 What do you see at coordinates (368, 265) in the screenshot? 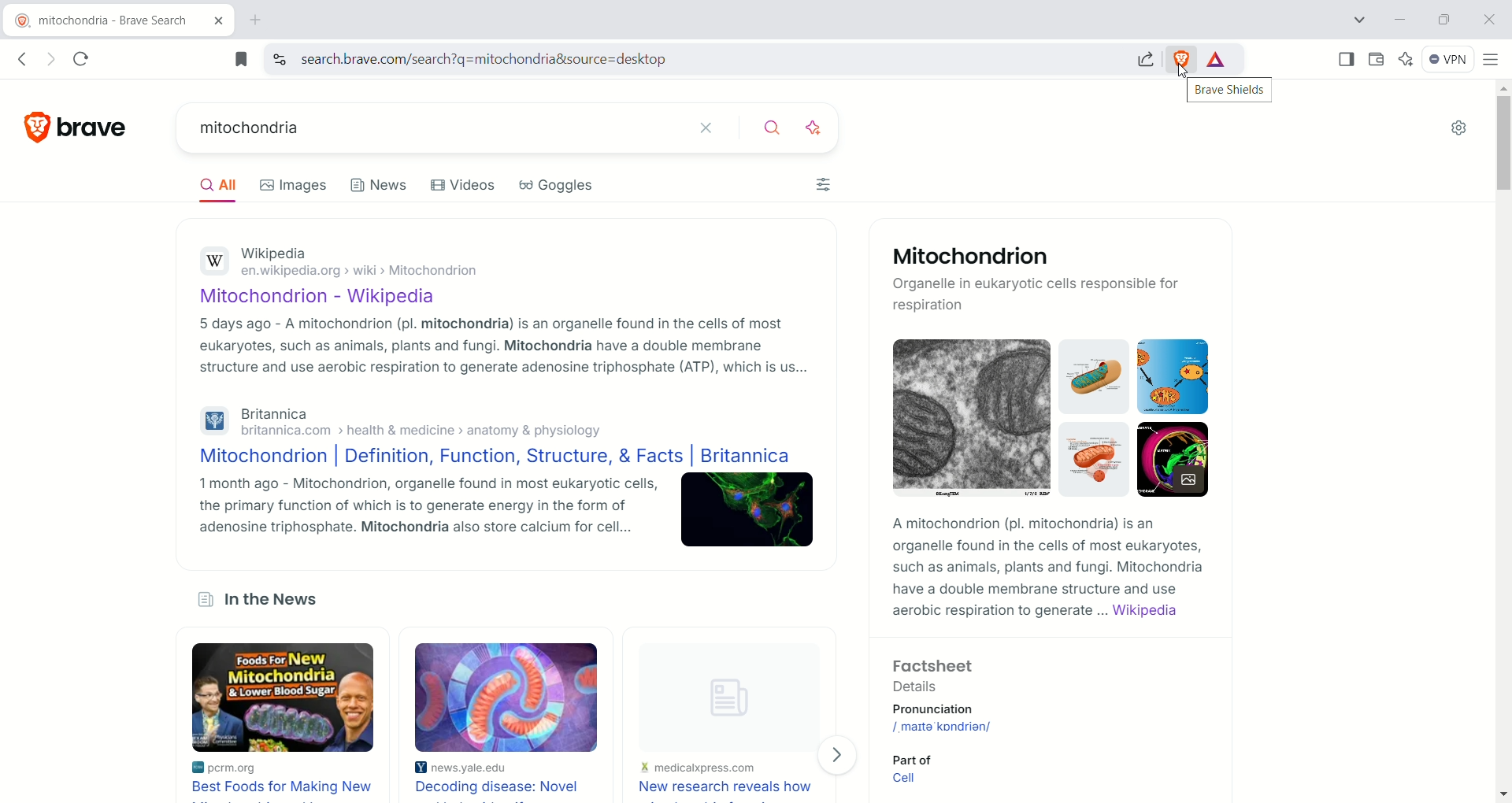
I see `Ww Wikipedia
en.wikipedia.org > wiki > Mitochondrion` at bounding box center [368, 265].